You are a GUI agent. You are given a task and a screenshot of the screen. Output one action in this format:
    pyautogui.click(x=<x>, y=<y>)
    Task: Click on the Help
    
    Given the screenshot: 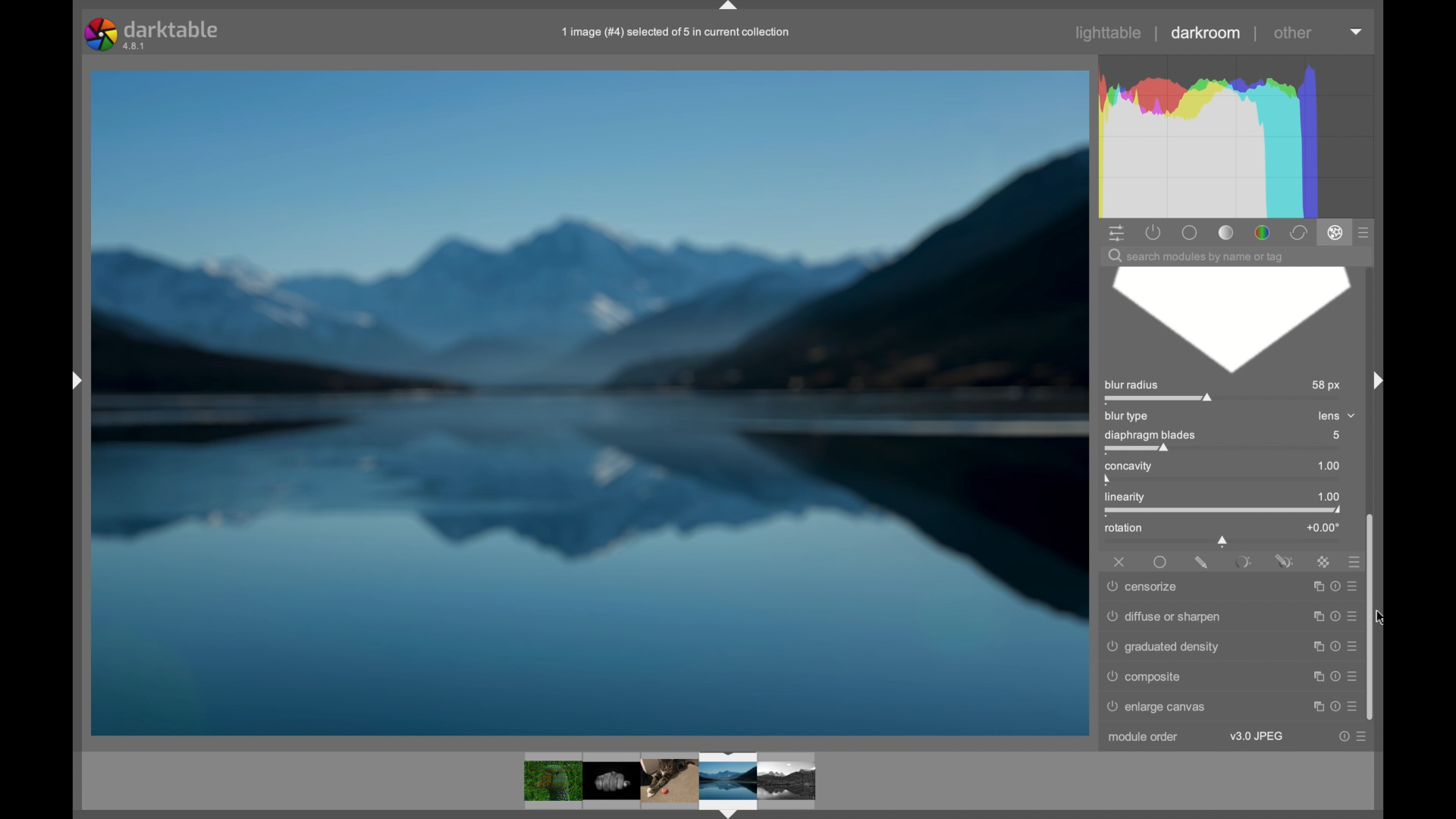 What is the action you would take?
    pyautogui.click(x=1335, y=584)
    